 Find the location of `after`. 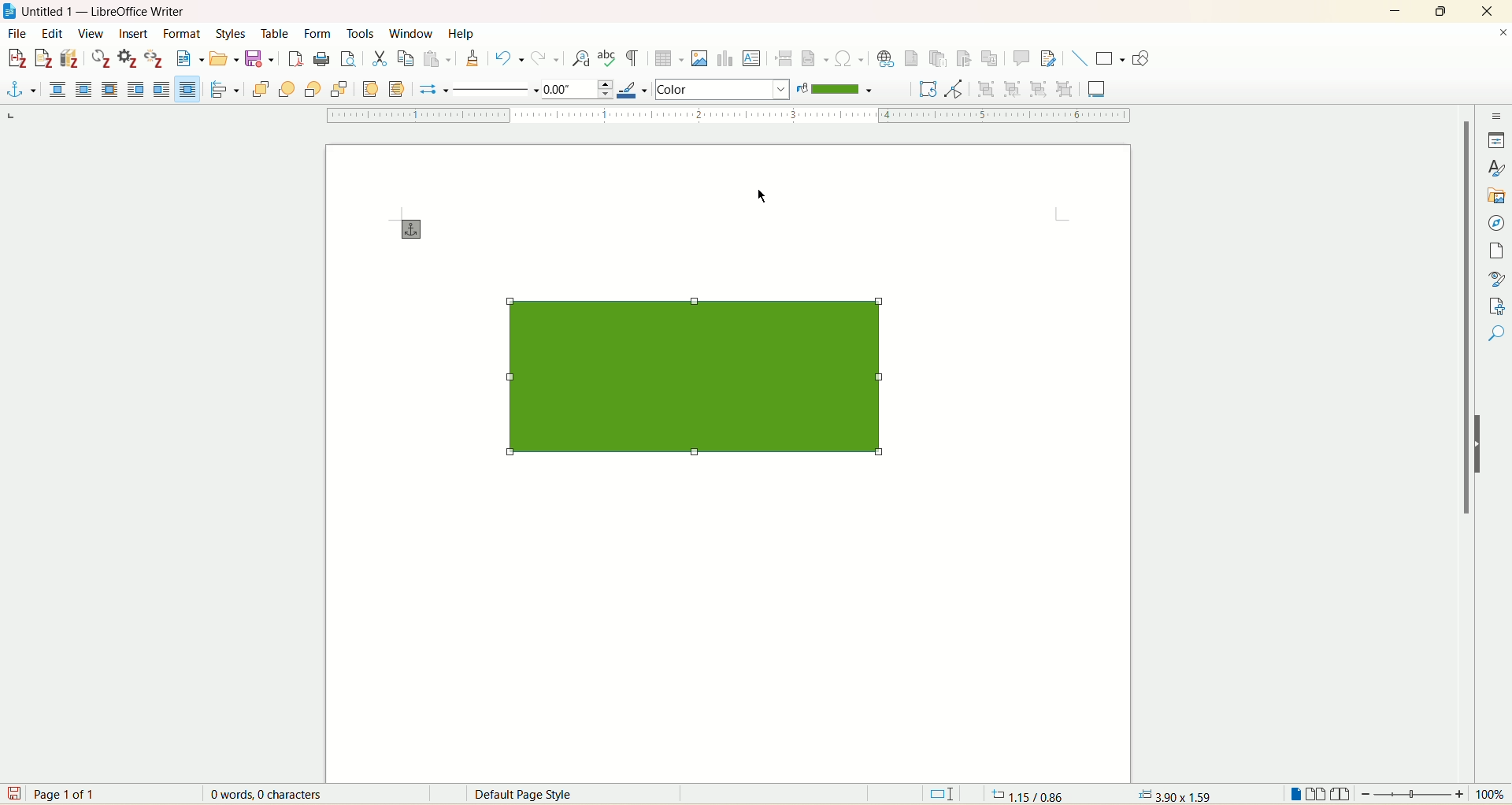

after is located at coordinates (162, 89).